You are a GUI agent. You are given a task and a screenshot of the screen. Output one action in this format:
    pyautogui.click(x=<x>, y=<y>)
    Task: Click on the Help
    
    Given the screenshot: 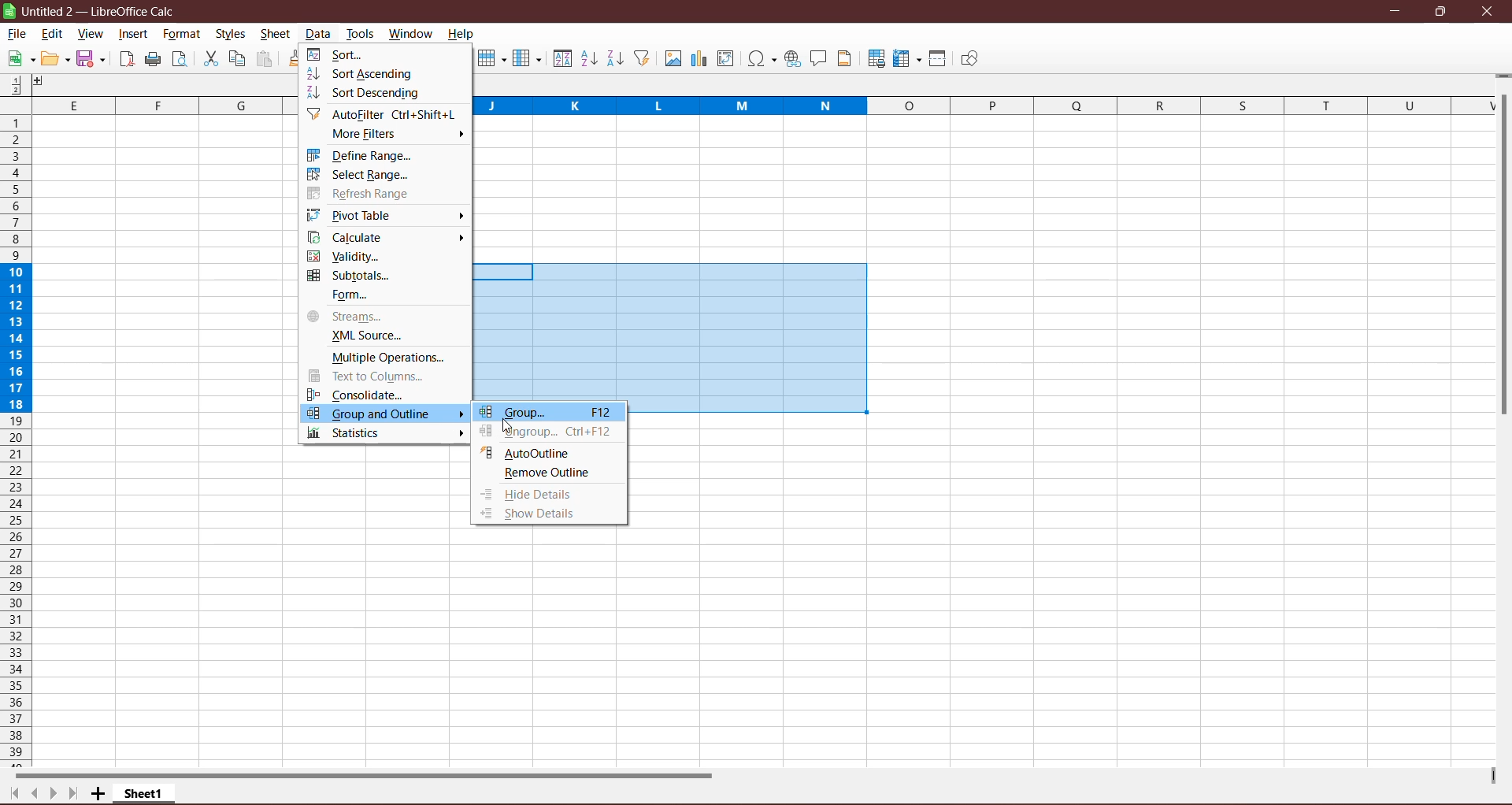 What is the action you would take?
    pyautogui.click(x=461, y=35)
    